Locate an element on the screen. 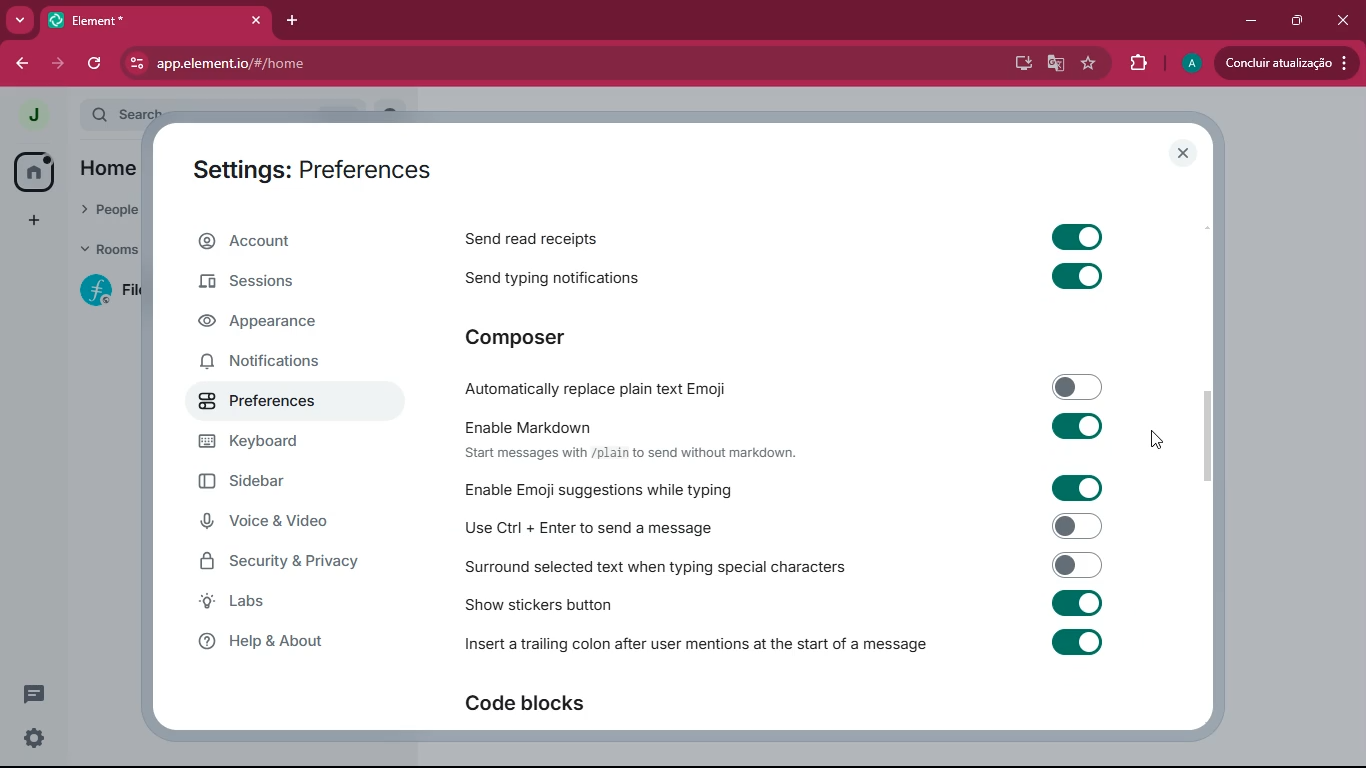 The image size is (1366, 768). toggle on or off is located at coordinates (1073, 385).